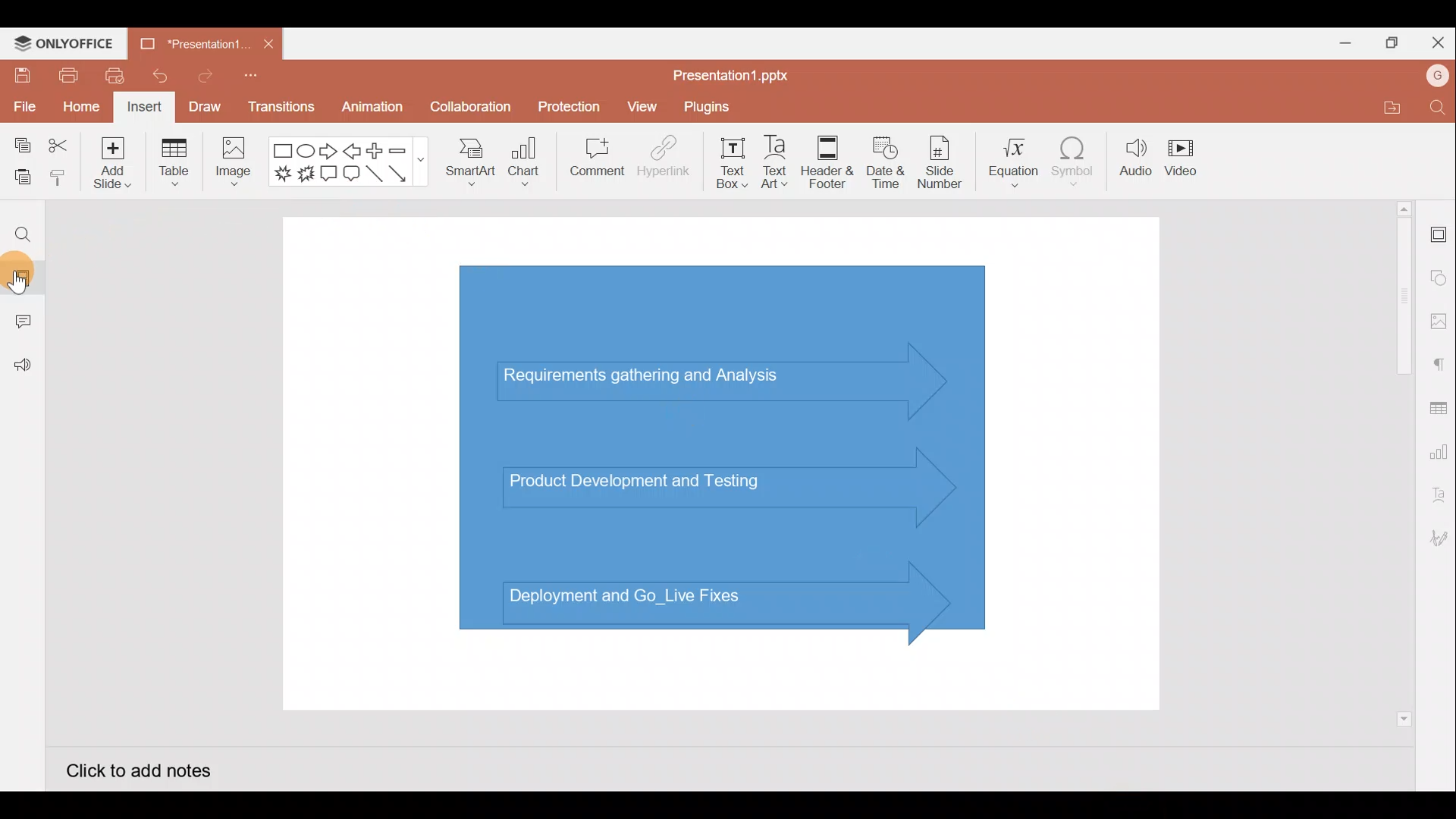  Describe the element at coordinates (63, 76) in the screenshot. I see `Print file` at that location.